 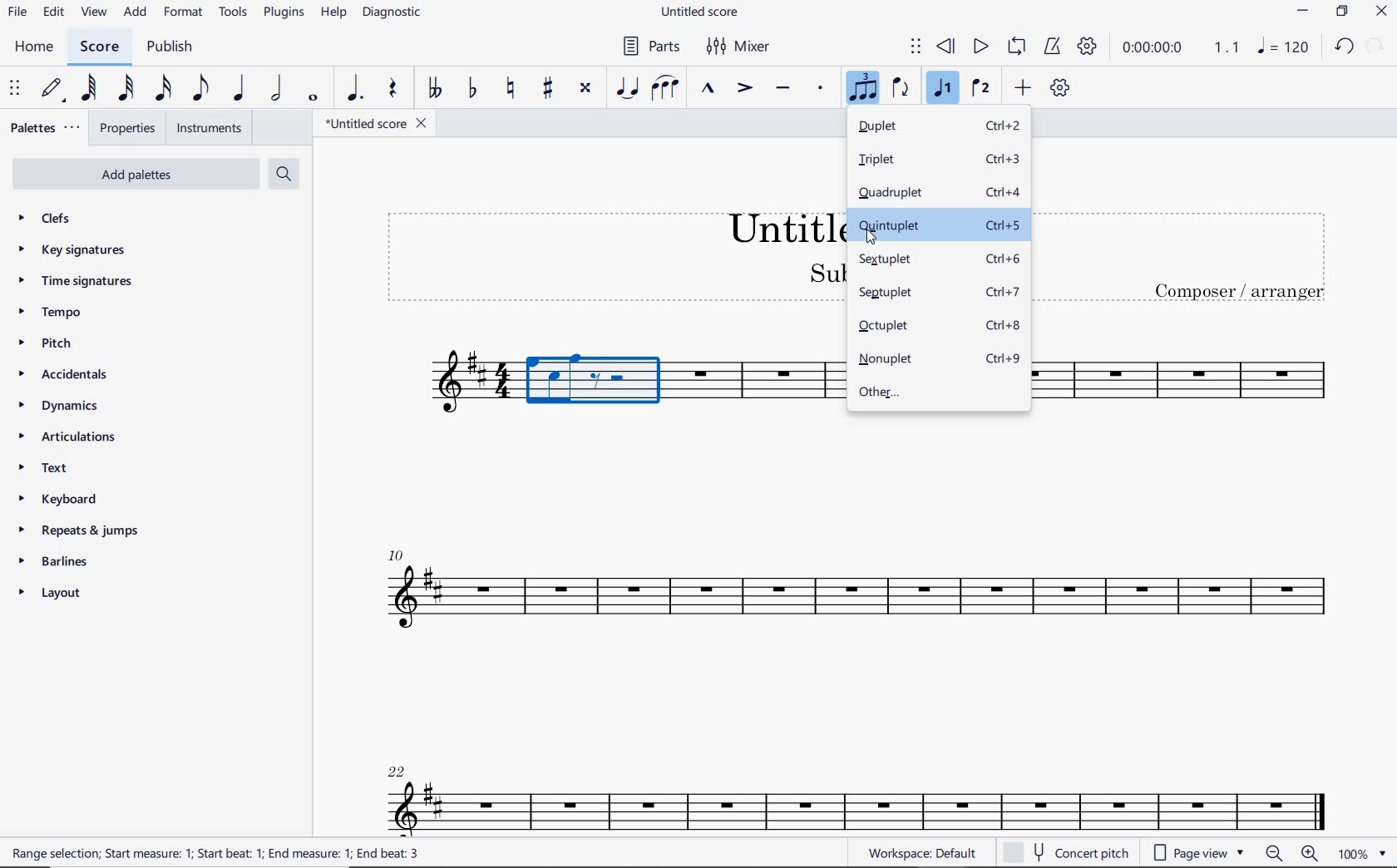 I want to click on PROPERTIES, so click(x=129, y=129).